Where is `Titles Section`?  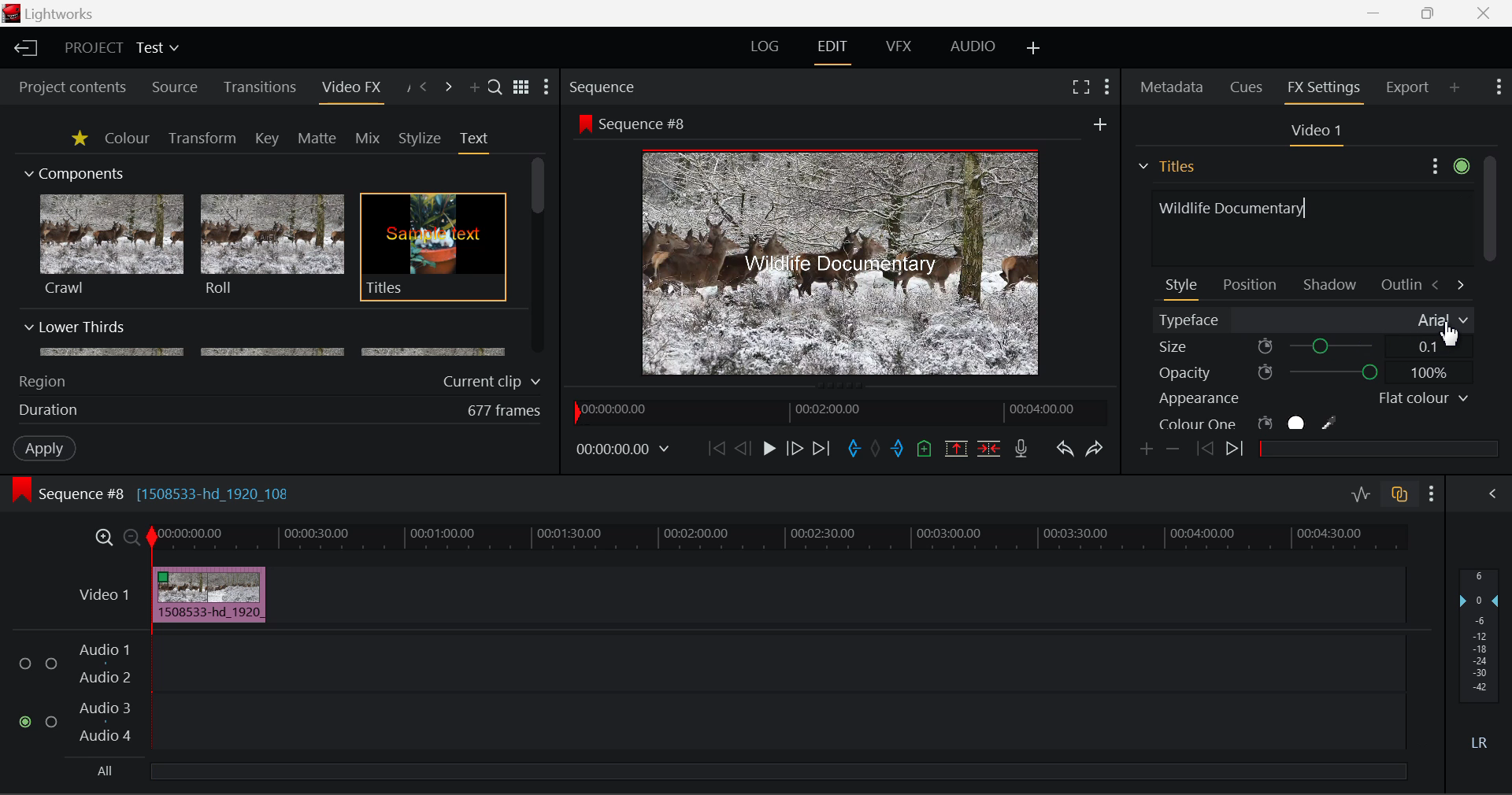 Titles Section is located at coordinates (1166, 166).